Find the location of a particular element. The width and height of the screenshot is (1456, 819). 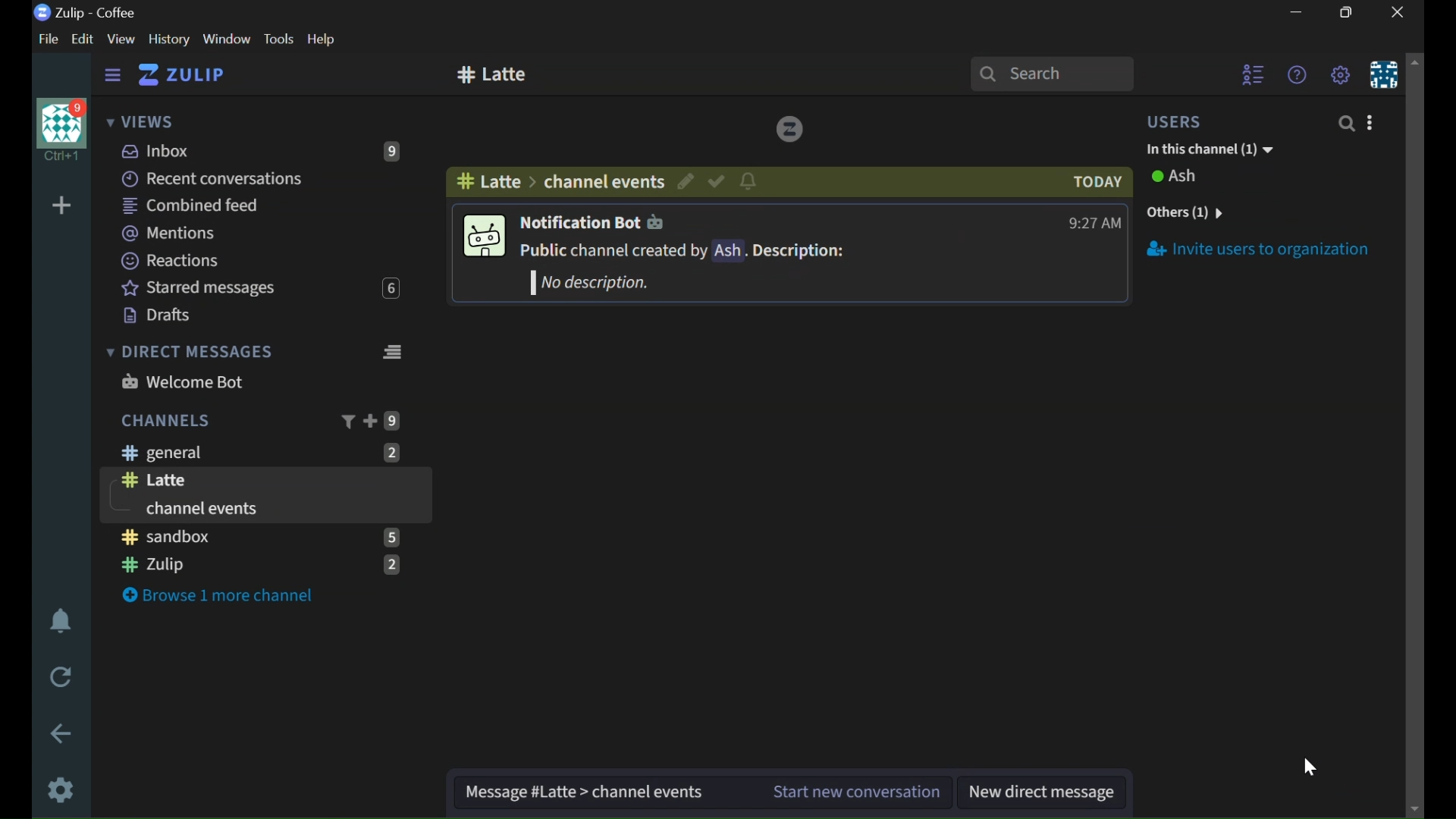

GO BACK is located at coordinates (63, 733).